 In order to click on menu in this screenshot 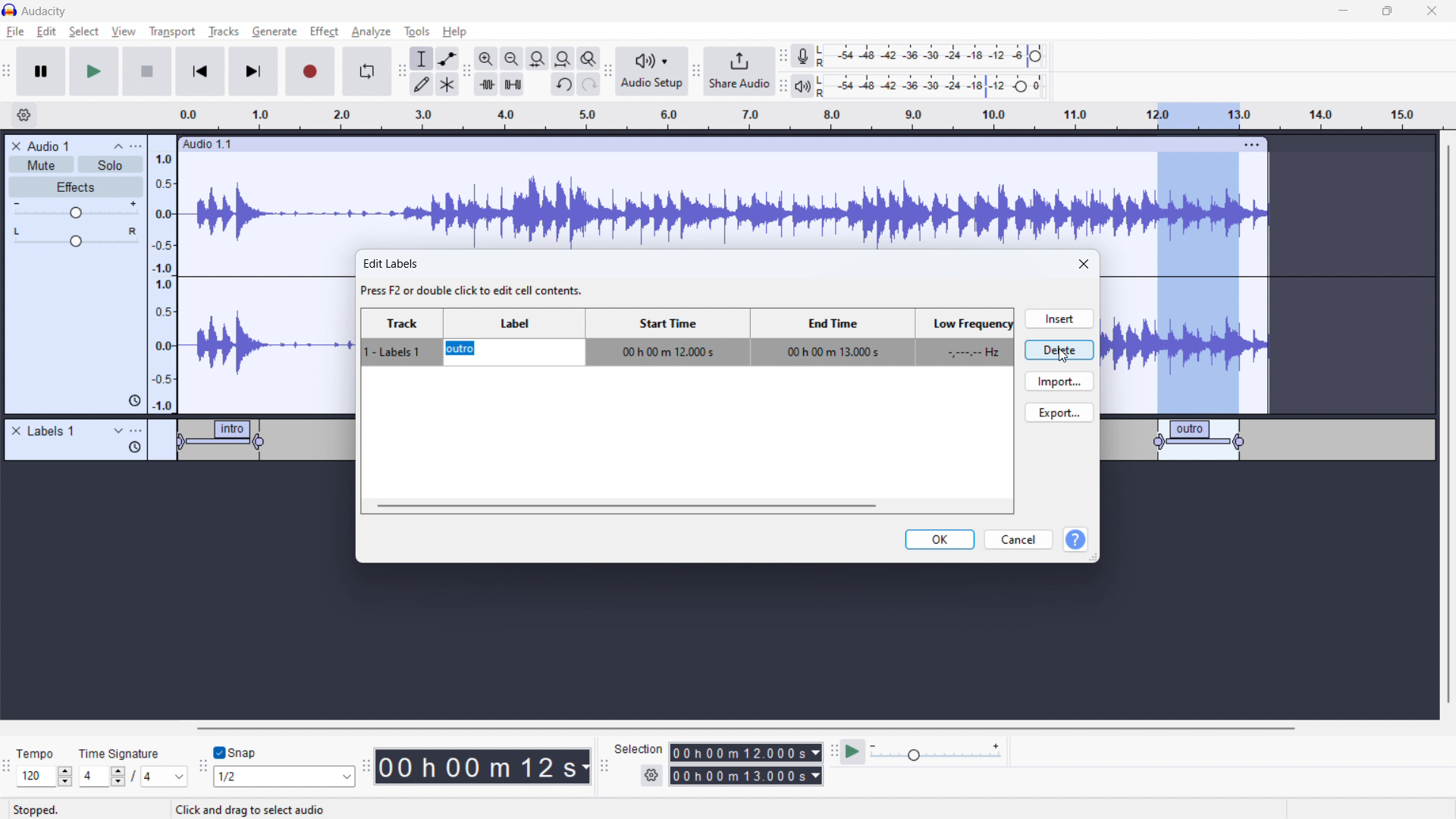, I will do `click(137, 146)`.